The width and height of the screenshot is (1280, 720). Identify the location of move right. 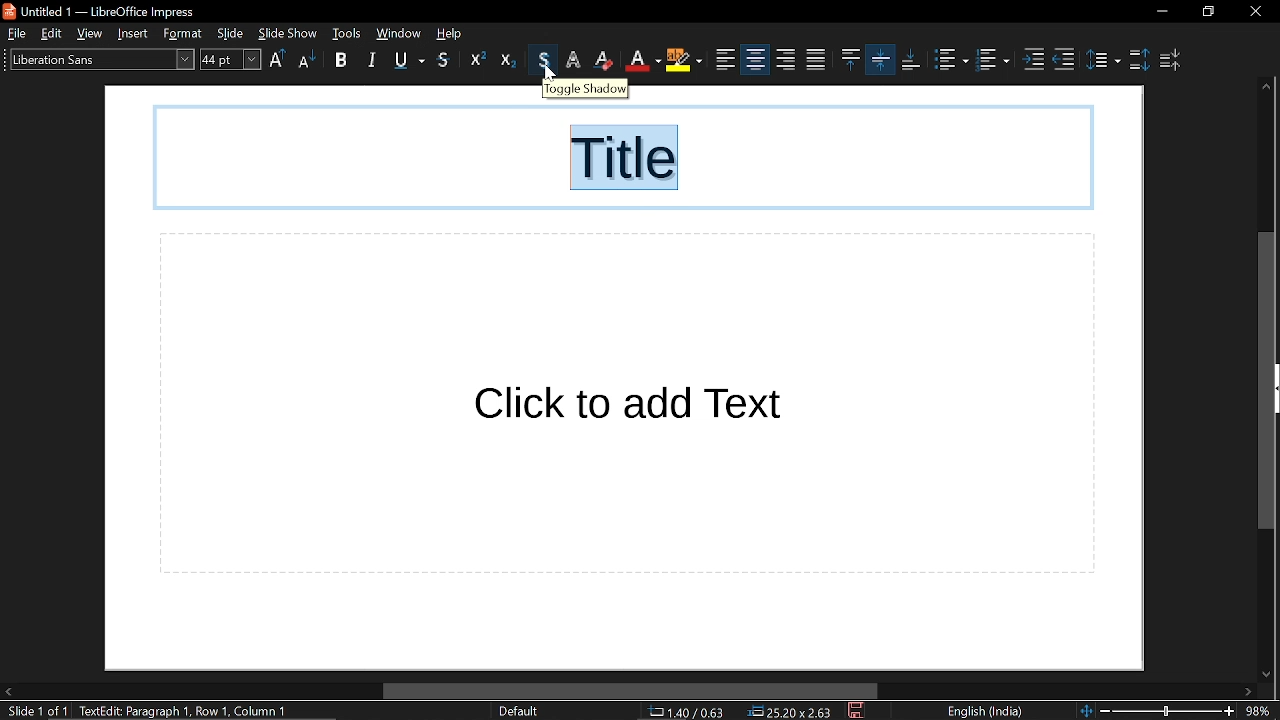
(1247, 692).